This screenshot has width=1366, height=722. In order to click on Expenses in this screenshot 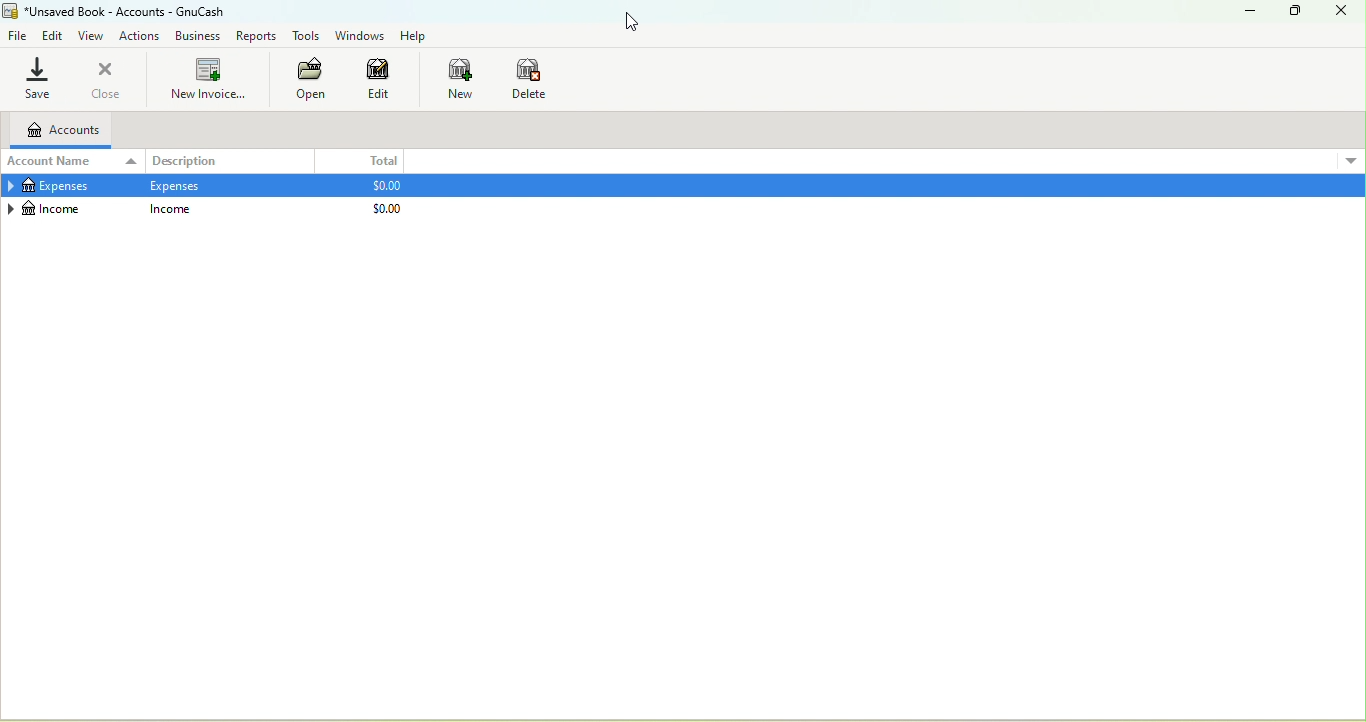, I will do `click(176, 186)`.